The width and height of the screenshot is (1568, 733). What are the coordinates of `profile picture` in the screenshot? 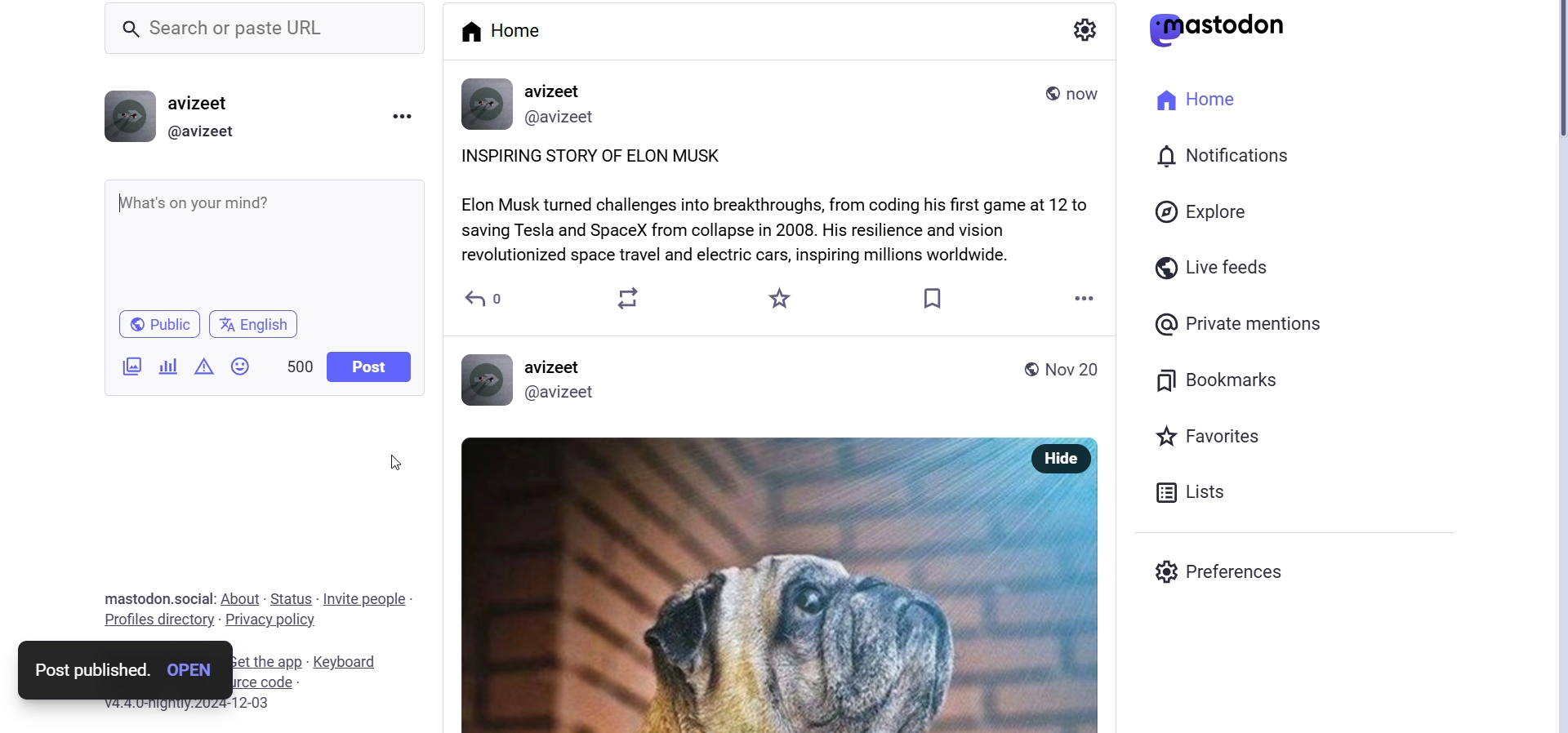 It's located at (130, 113).